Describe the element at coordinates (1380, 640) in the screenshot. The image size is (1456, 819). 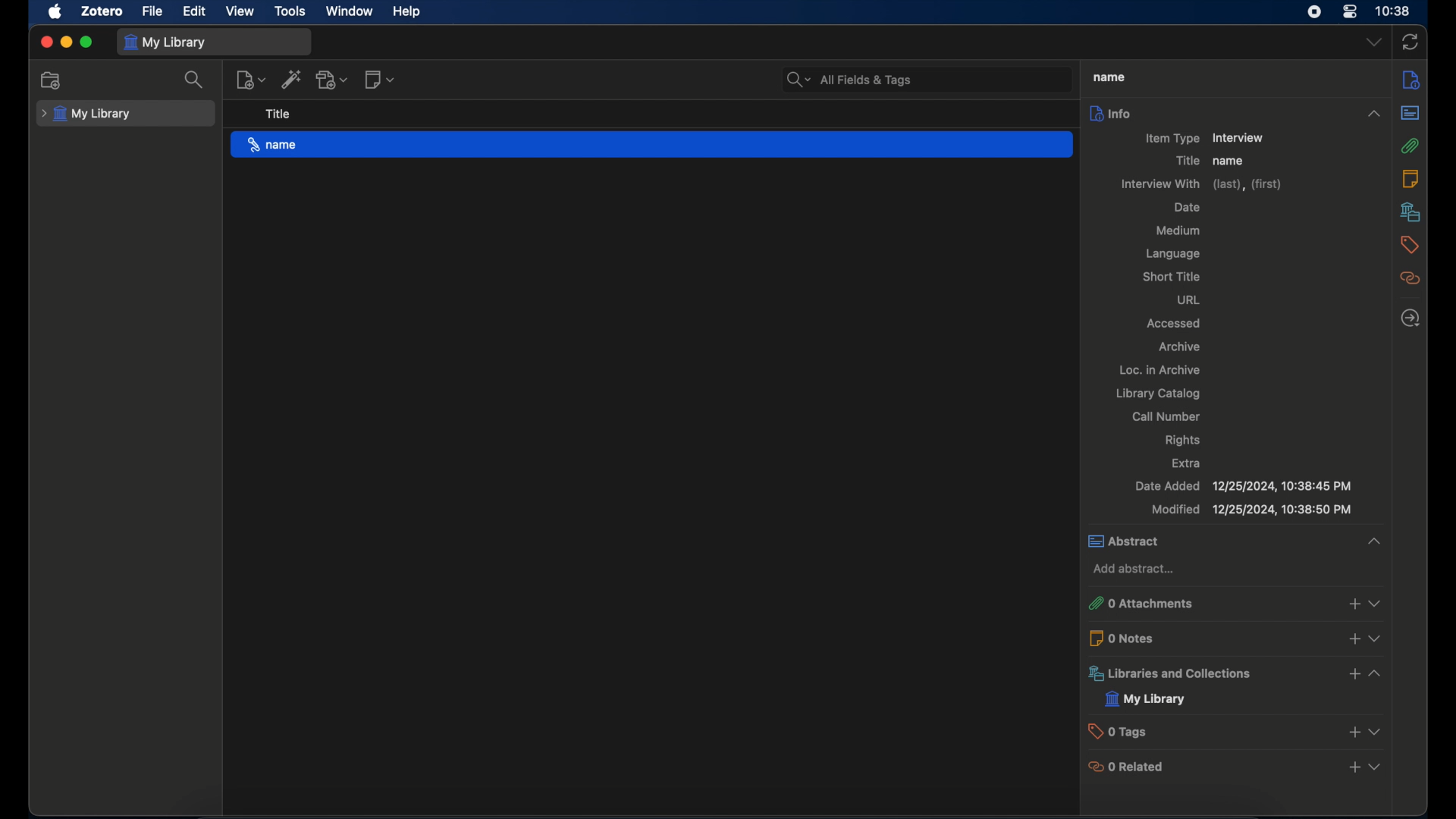
I see `view` at that location.